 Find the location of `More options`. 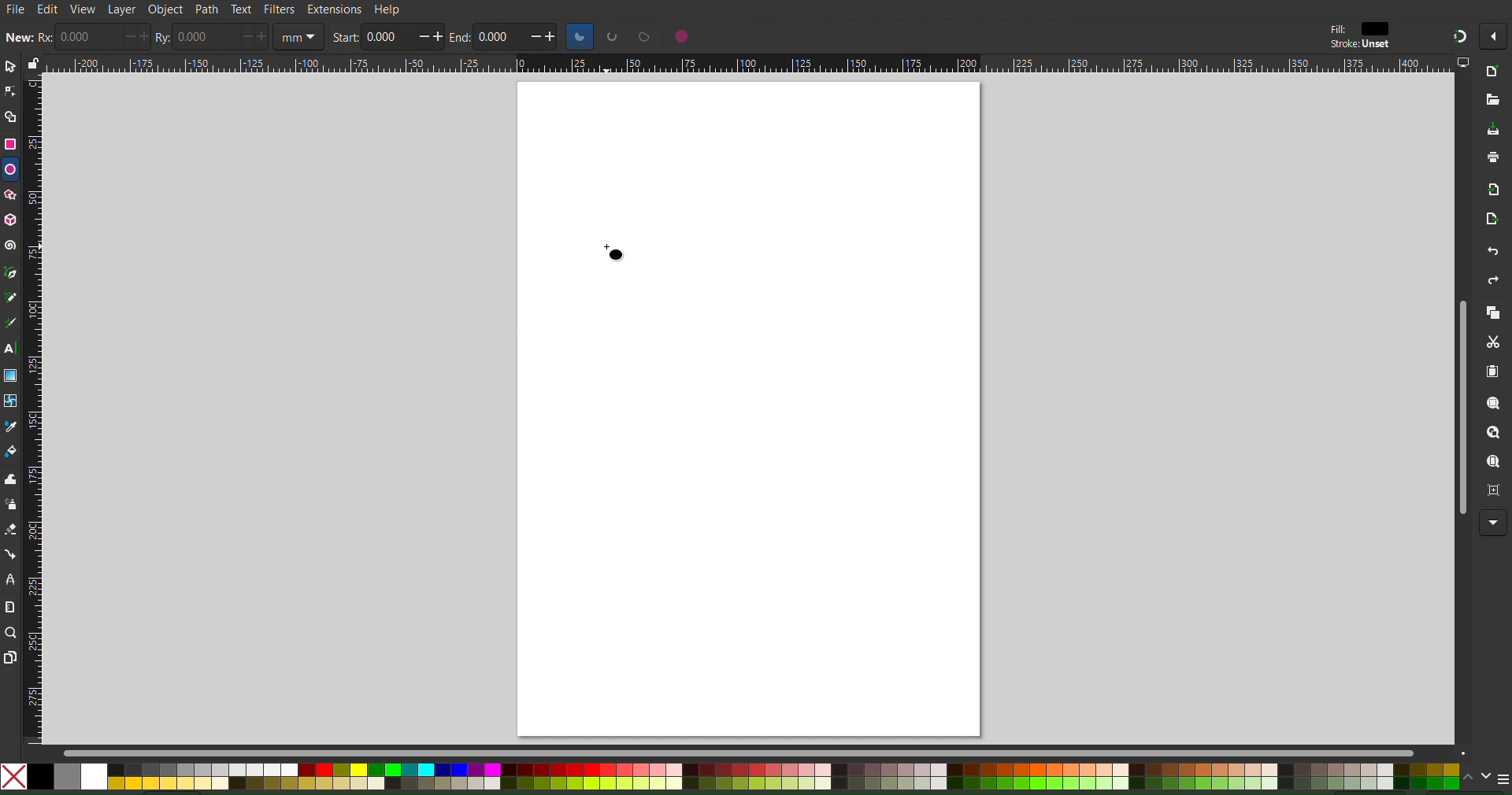

More options is located at coordinates (1494, 38).